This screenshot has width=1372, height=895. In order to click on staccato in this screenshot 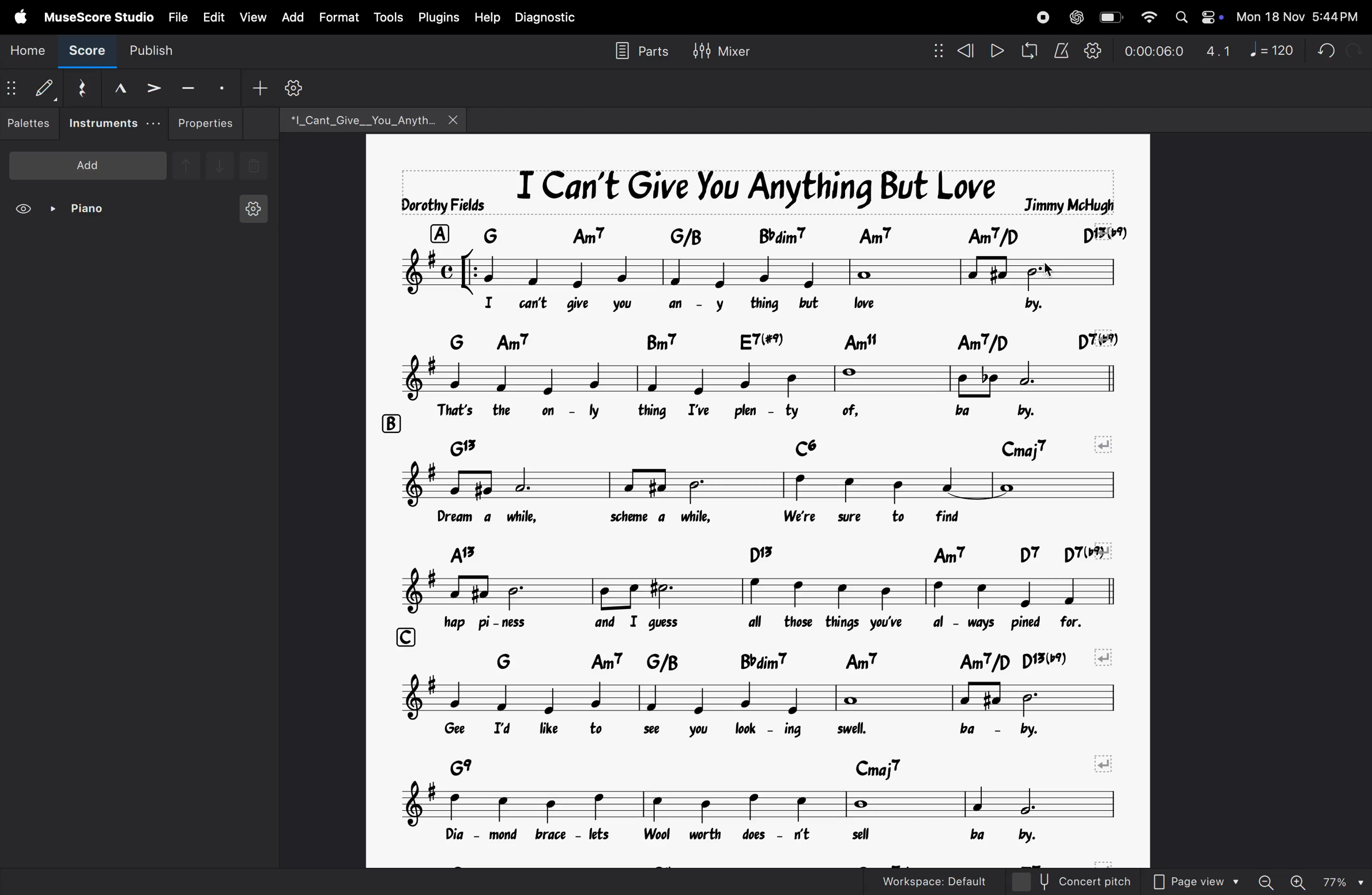, I will do `click(223, 87)`.